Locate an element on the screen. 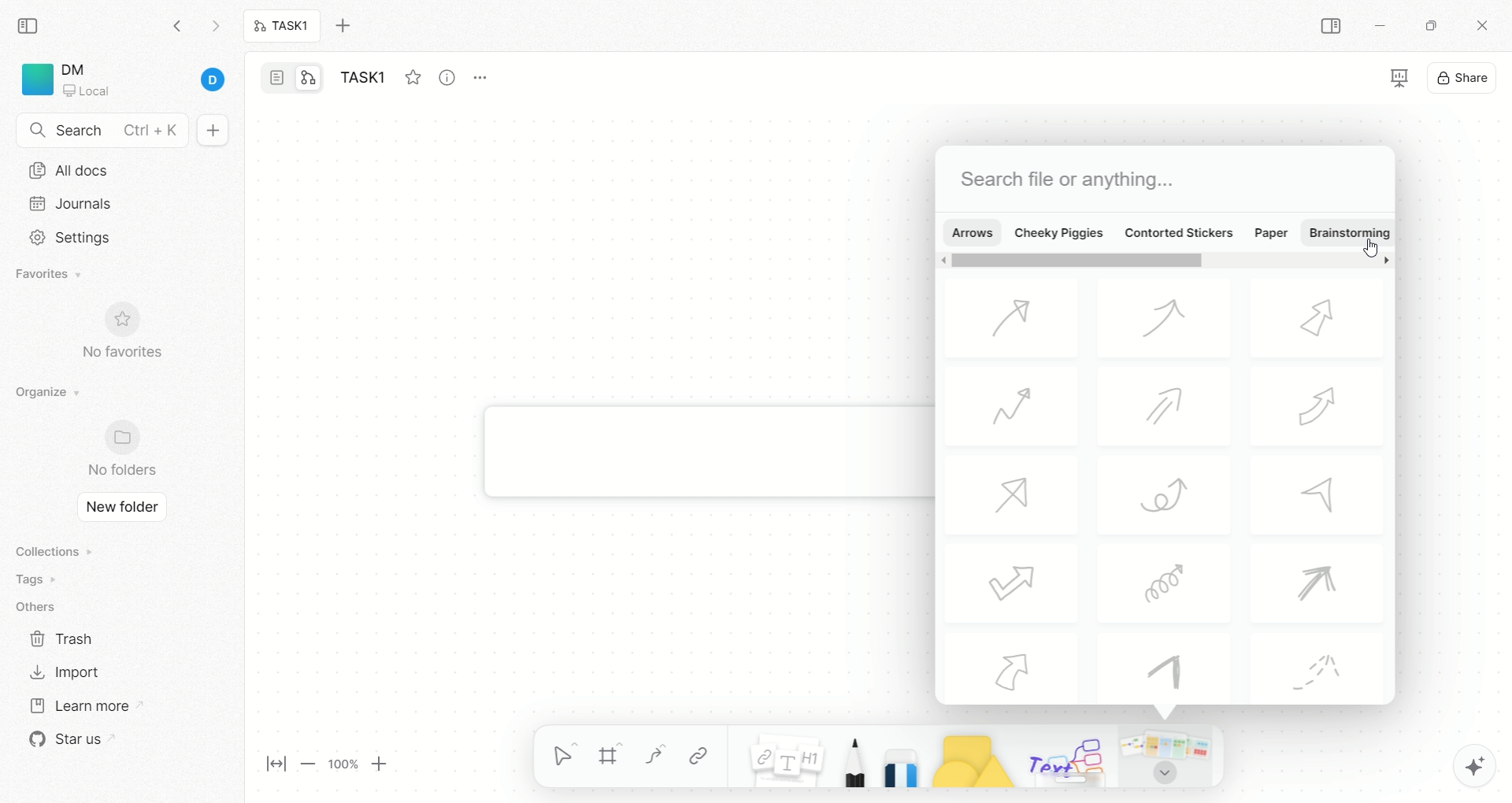 This screenshot has width=1512, height=803. Templates is located at coordinates (1168, 756).